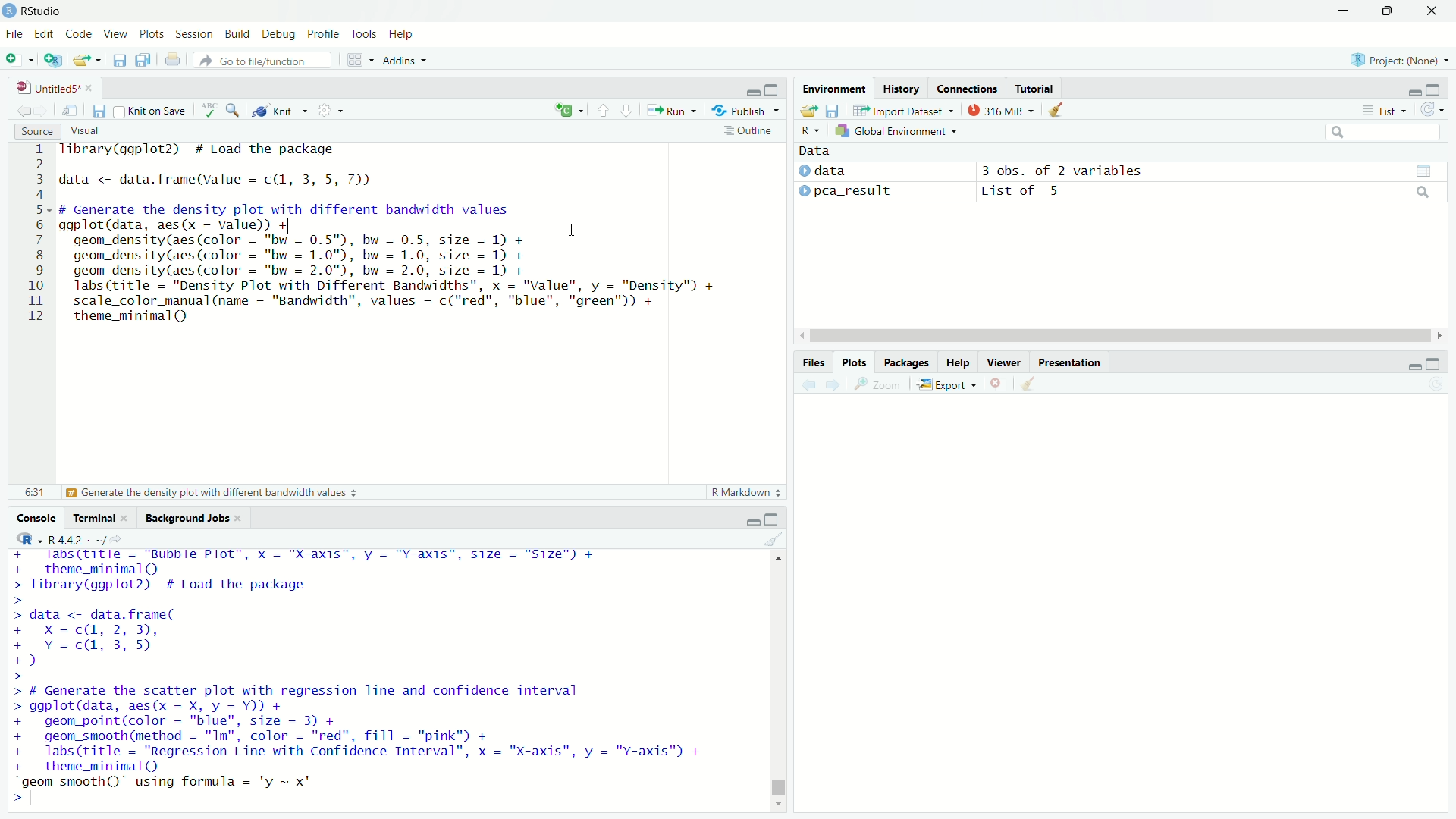  I want to click on Open an existing file, so click(80, 60).